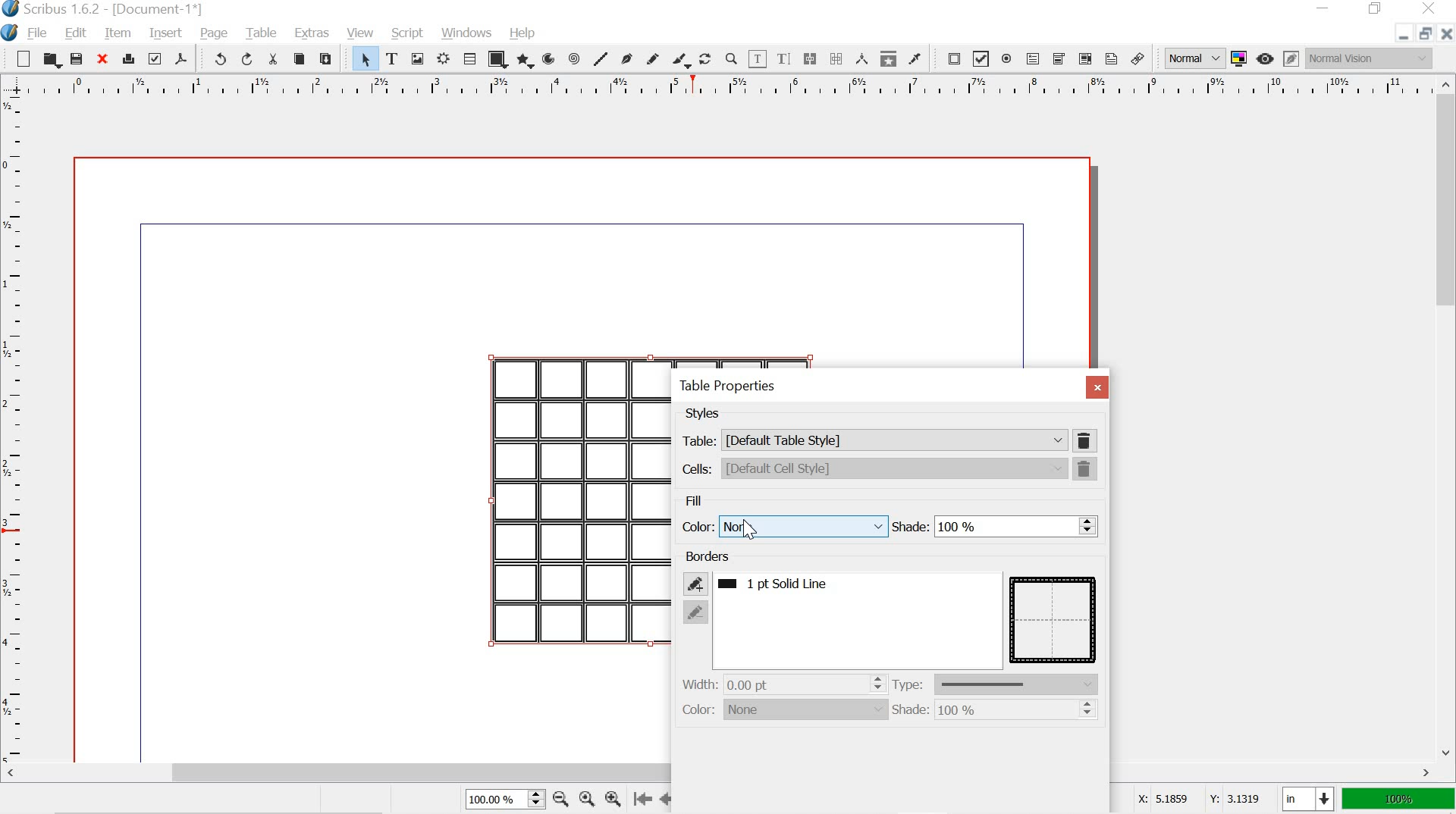 This screenshot has width=1456, height=814. I want to click on close, so click(1432, 9).